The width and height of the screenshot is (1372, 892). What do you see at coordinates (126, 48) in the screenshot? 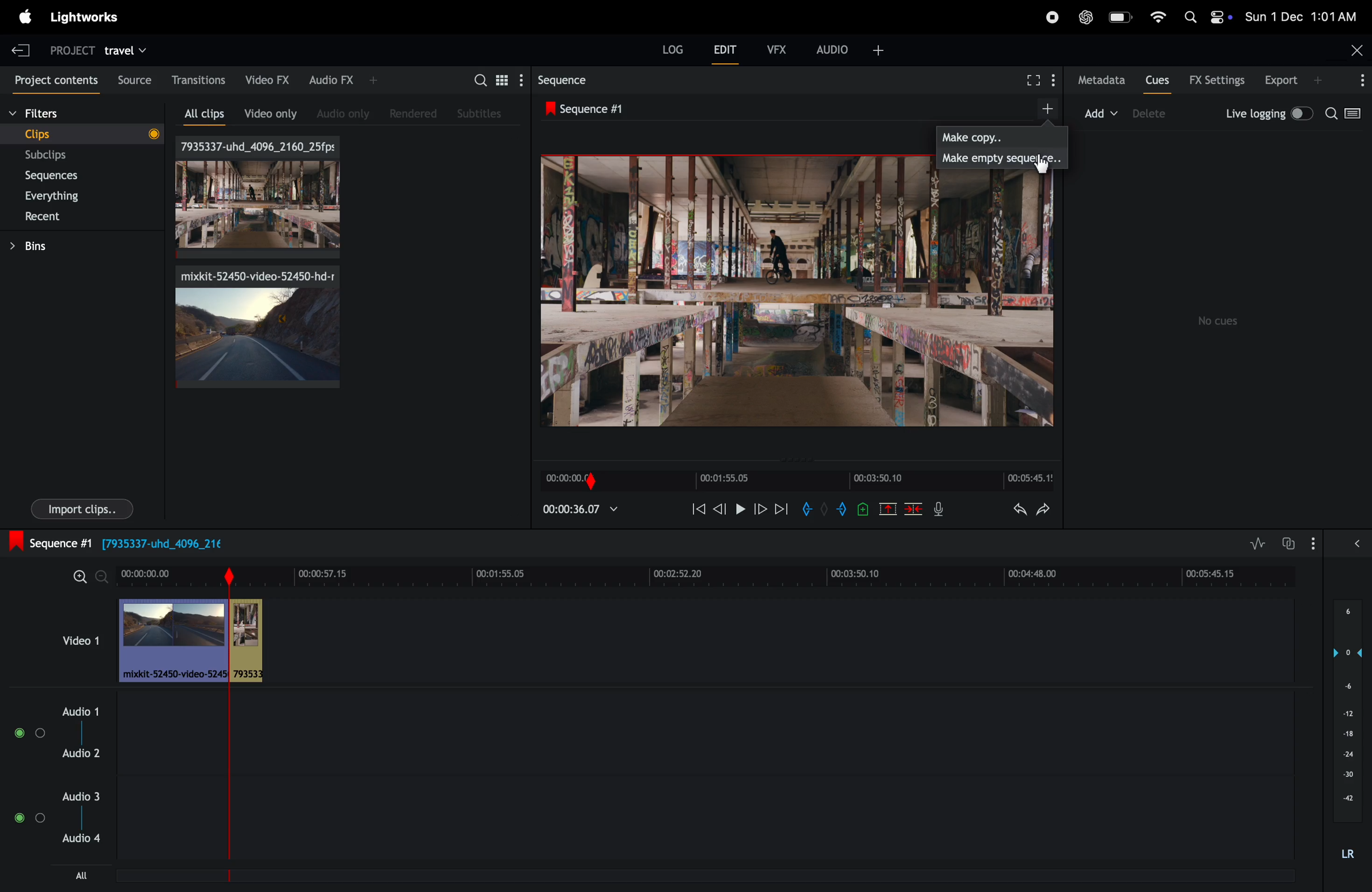
I see `travel` at bounding box center [126, 48].